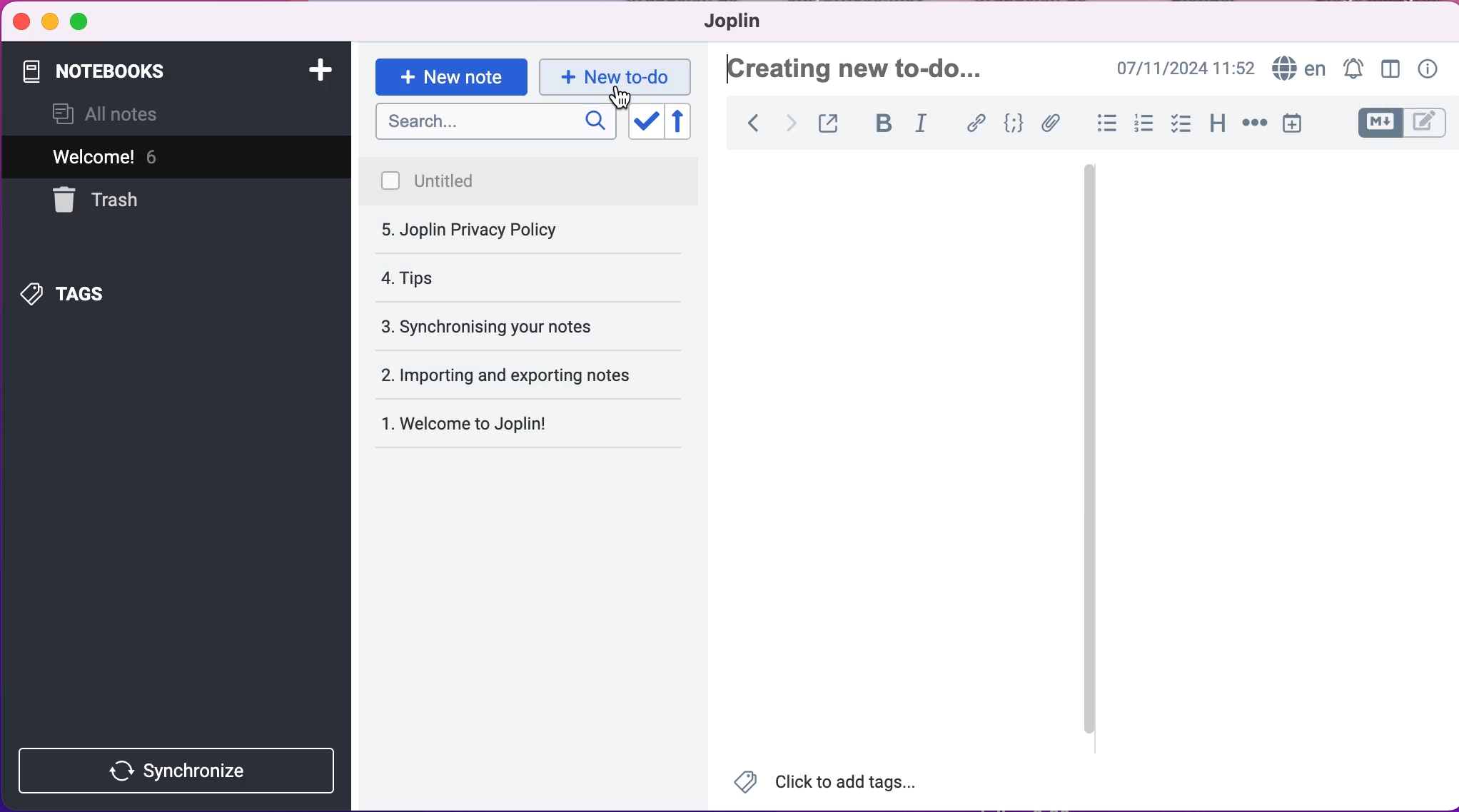 This screenshot has height=812, width=1459. I want to click on hyperlink, so click(976, 123).